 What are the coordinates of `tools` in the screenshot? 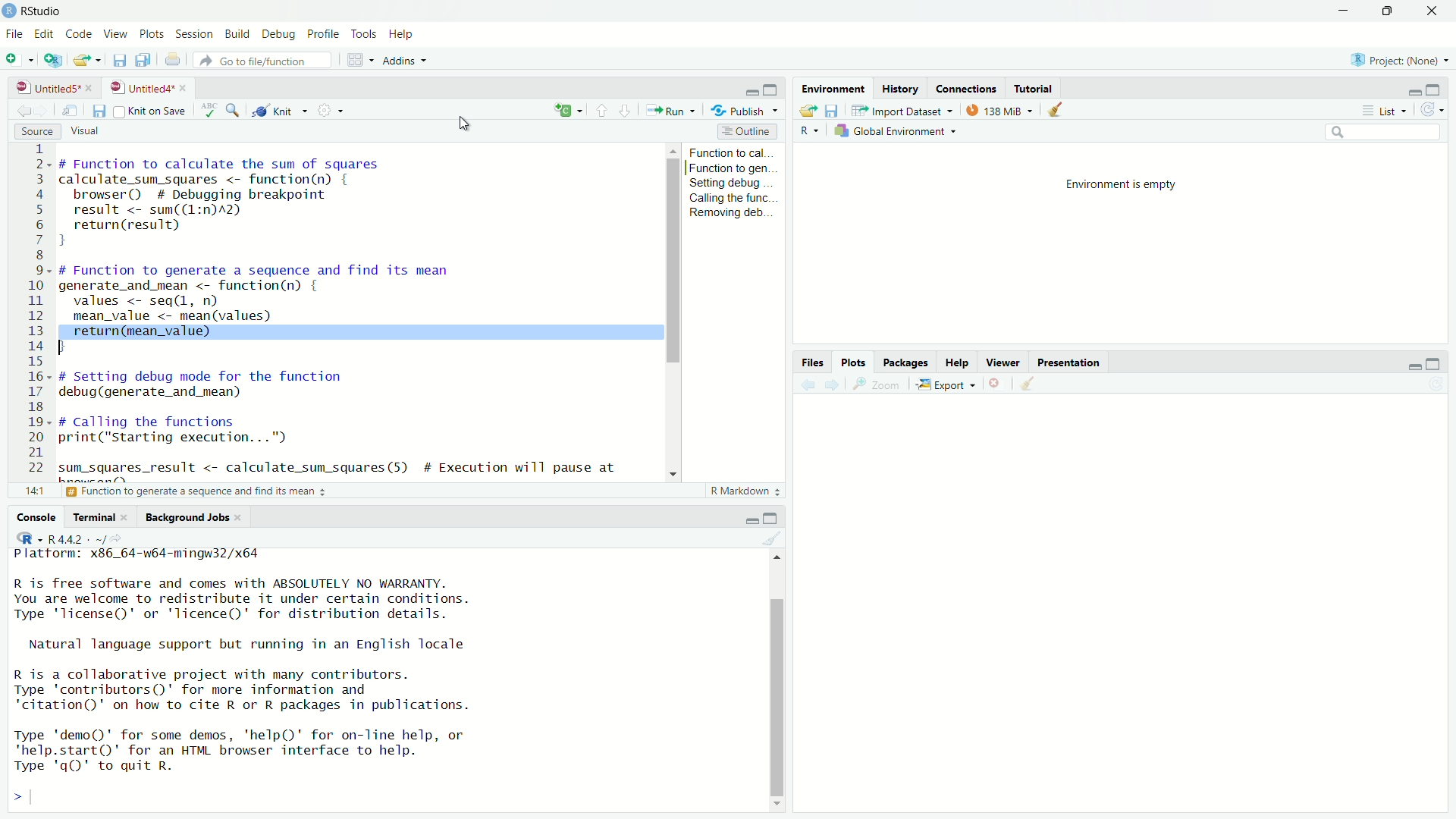 It's located at (363, 33).